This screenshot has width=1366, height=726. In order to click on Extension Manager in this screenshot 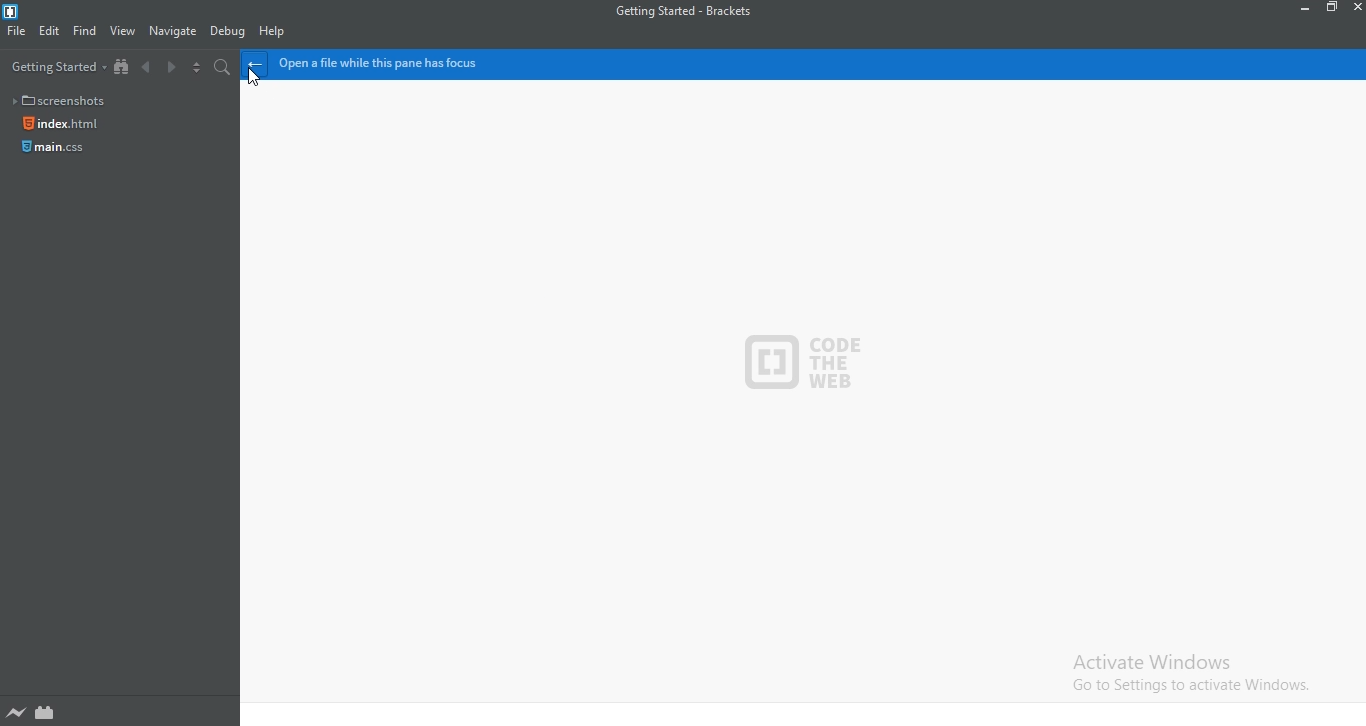, I will do `click(47, 713)`.